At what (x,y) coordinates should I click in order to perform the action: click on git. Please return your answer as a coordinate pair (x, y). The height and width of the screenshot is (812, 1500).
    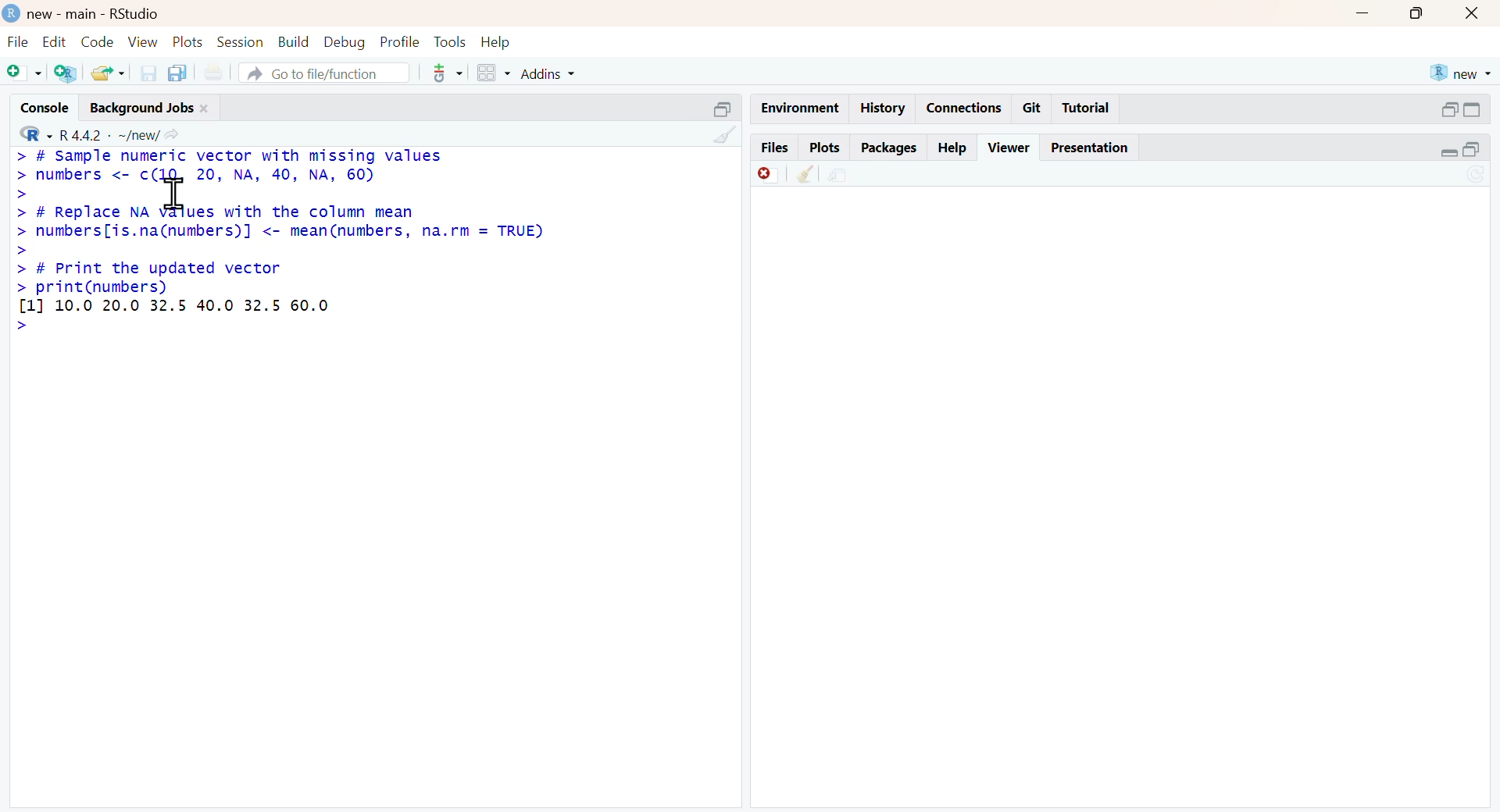
    Looking at the image, I should click on (1034, 109).